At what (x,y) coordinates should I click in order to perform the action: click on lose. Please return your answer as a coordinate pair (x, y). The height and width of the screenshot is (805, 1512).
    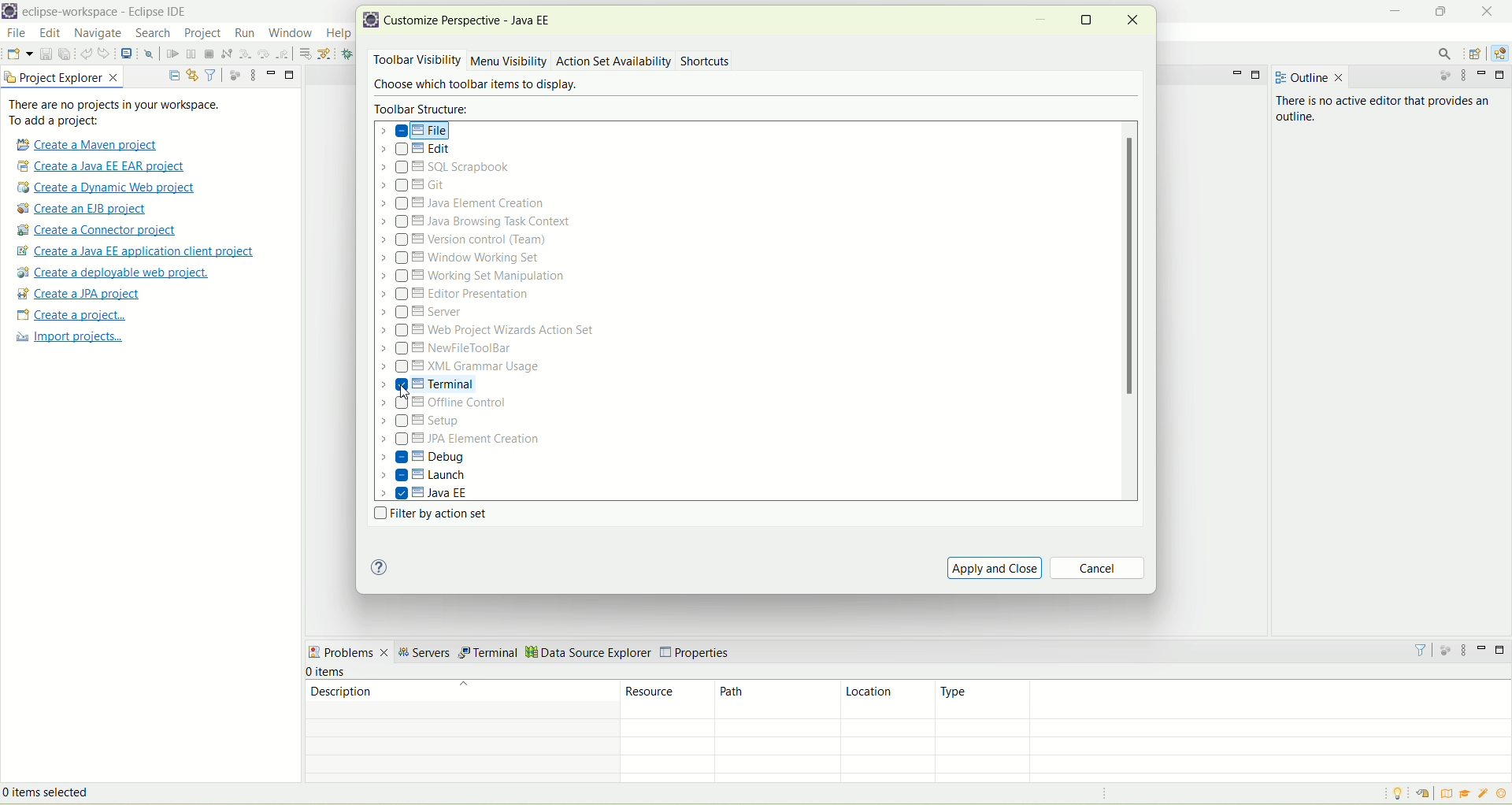
    Looking at the image, I should click on (1133, 19).